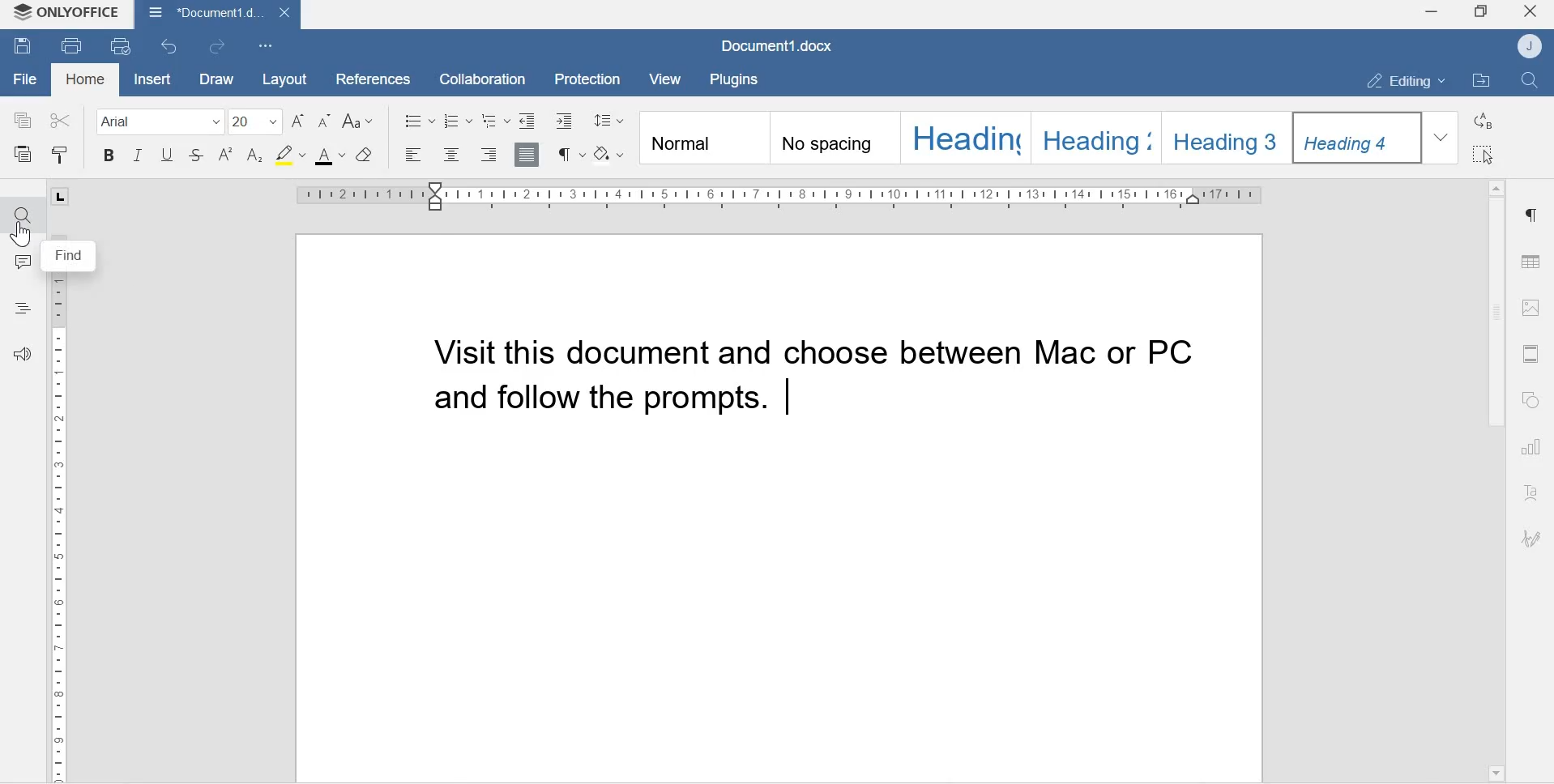 This screenshot has width=1554, height=784. What do you see at coordinates (527, 153) in the screenshot?
I see `Justified` at bounding box center [527, 153].